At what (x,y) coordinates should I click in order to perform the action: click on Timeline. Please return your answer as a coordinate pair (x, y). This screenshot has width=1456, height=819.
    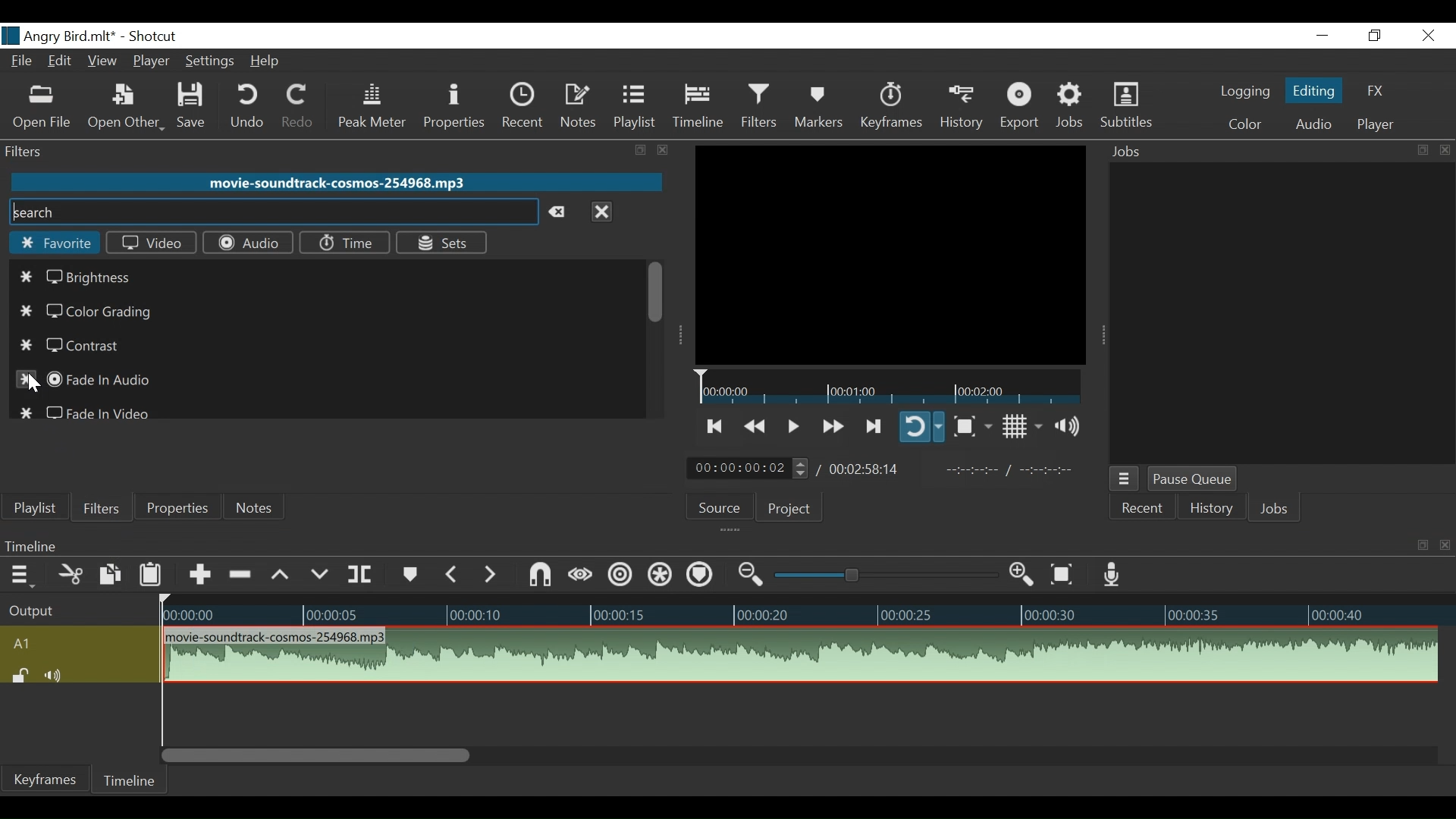
    Looking at the image, I should click on (698, 106).